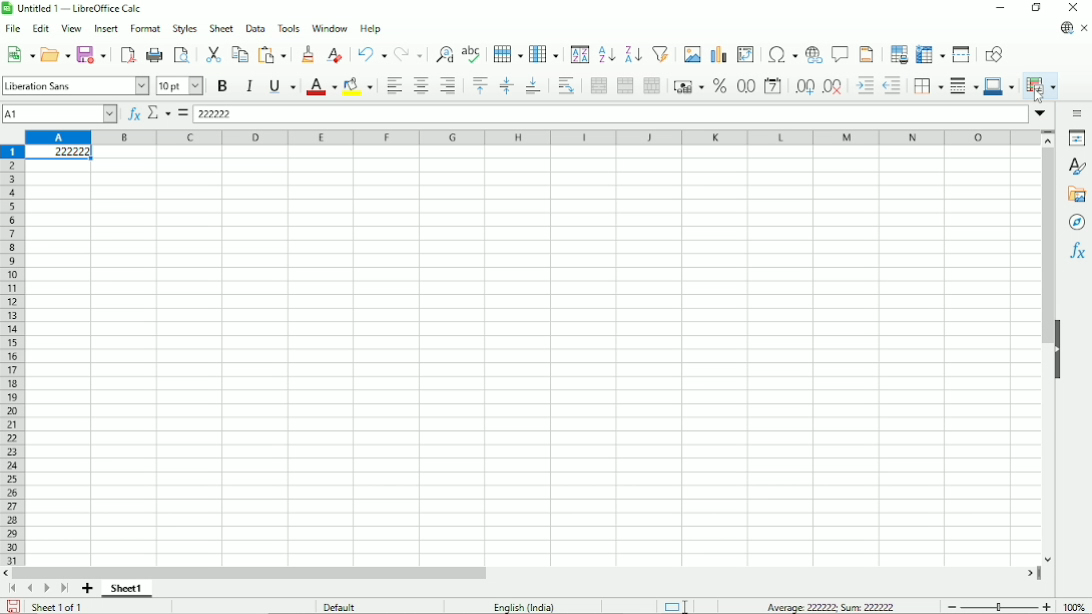 The height and width of the screenshot is (614, 1092). Describe the element at coordinates (1040, 112) in the screenshot. I see `Expand formula bar` at that location.